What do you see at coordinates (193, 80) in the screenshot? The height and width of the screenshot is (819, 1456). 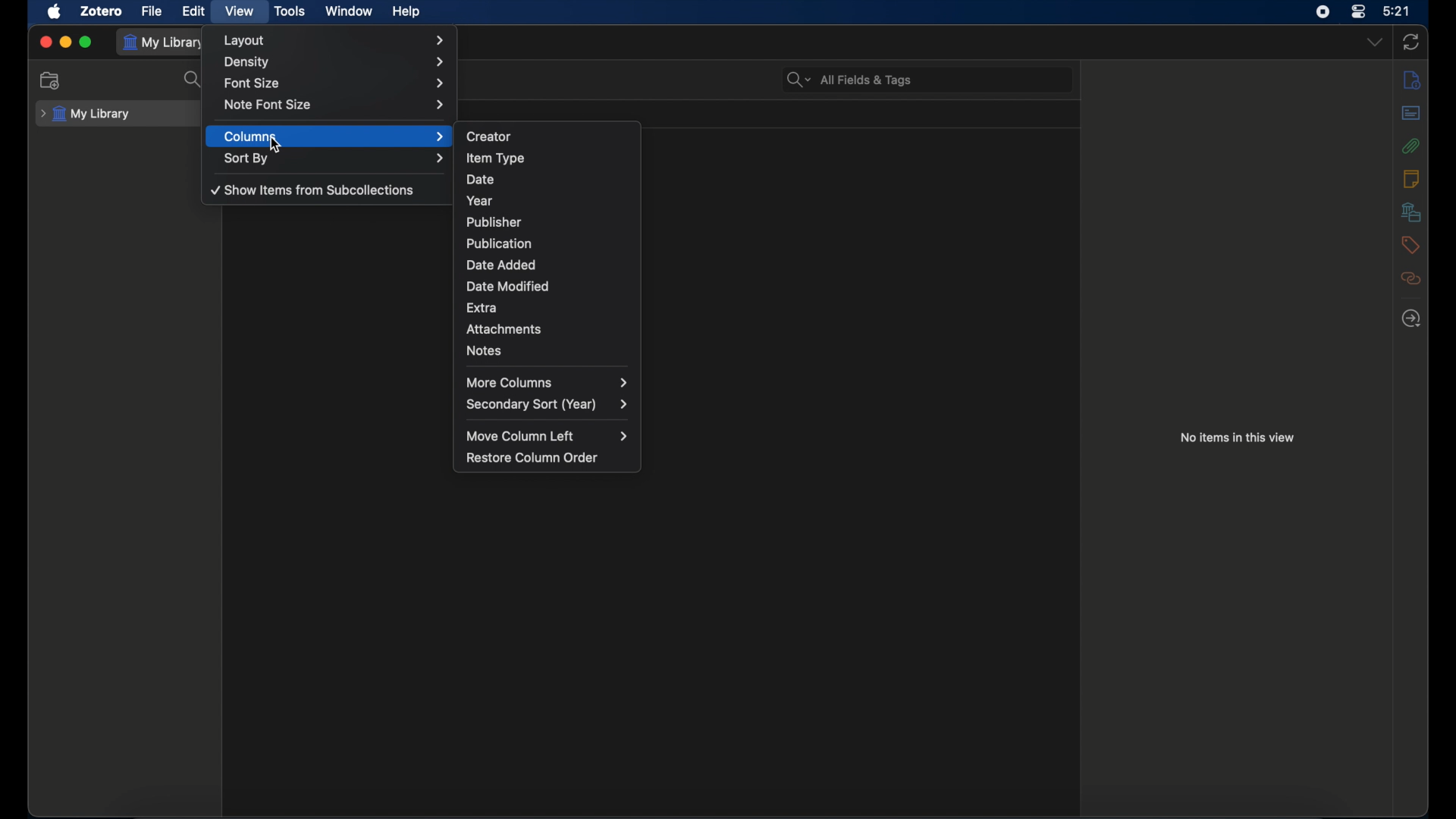 I see `search` at bounding box center [193, 80].